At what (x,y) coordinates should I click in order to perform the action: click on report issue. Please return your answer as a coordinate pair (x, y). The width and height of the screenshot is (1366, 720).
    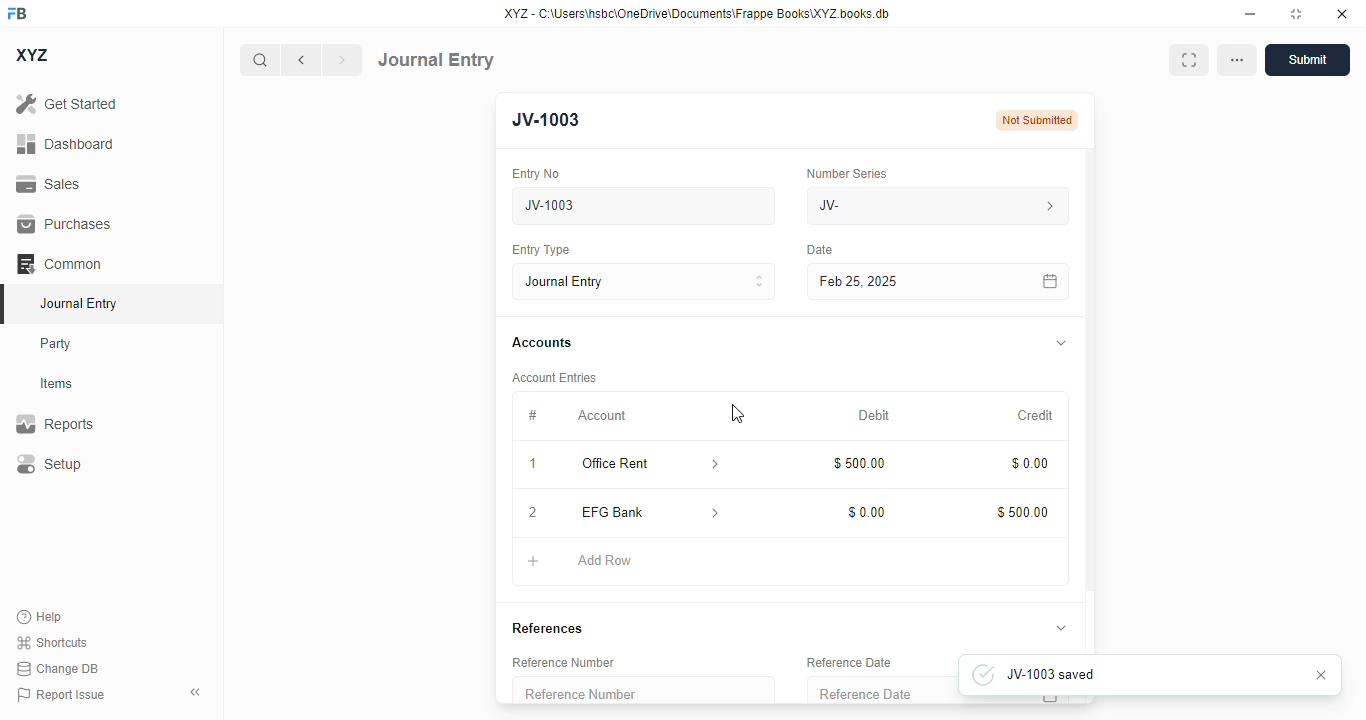
    Looking at the image, I should click on (61, 695).